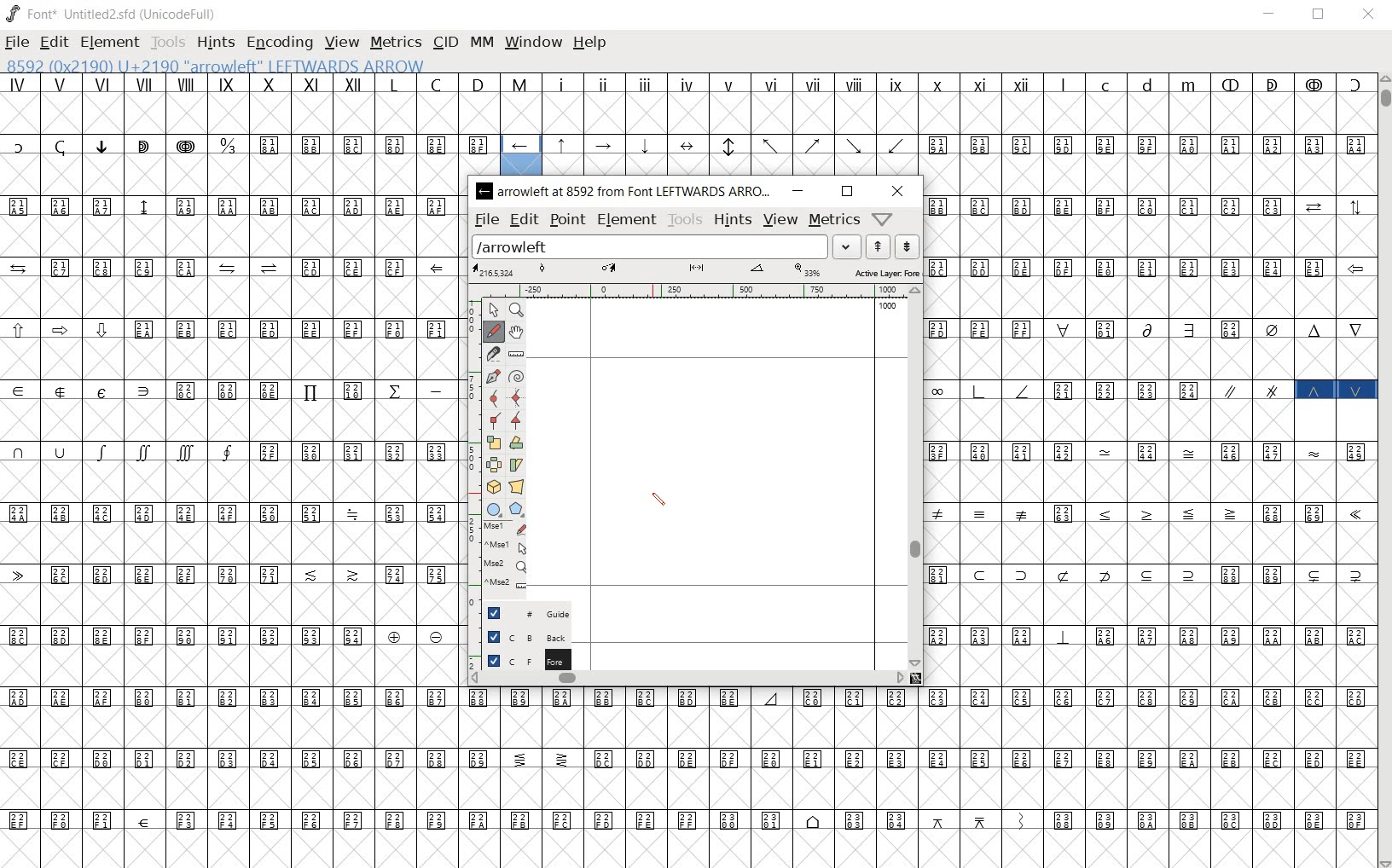 This screenshot has width=1392, height=868. What do you see at coordinates (696, 271) in the screenshot?
I see `active layer` at bounding box center [696, 271].